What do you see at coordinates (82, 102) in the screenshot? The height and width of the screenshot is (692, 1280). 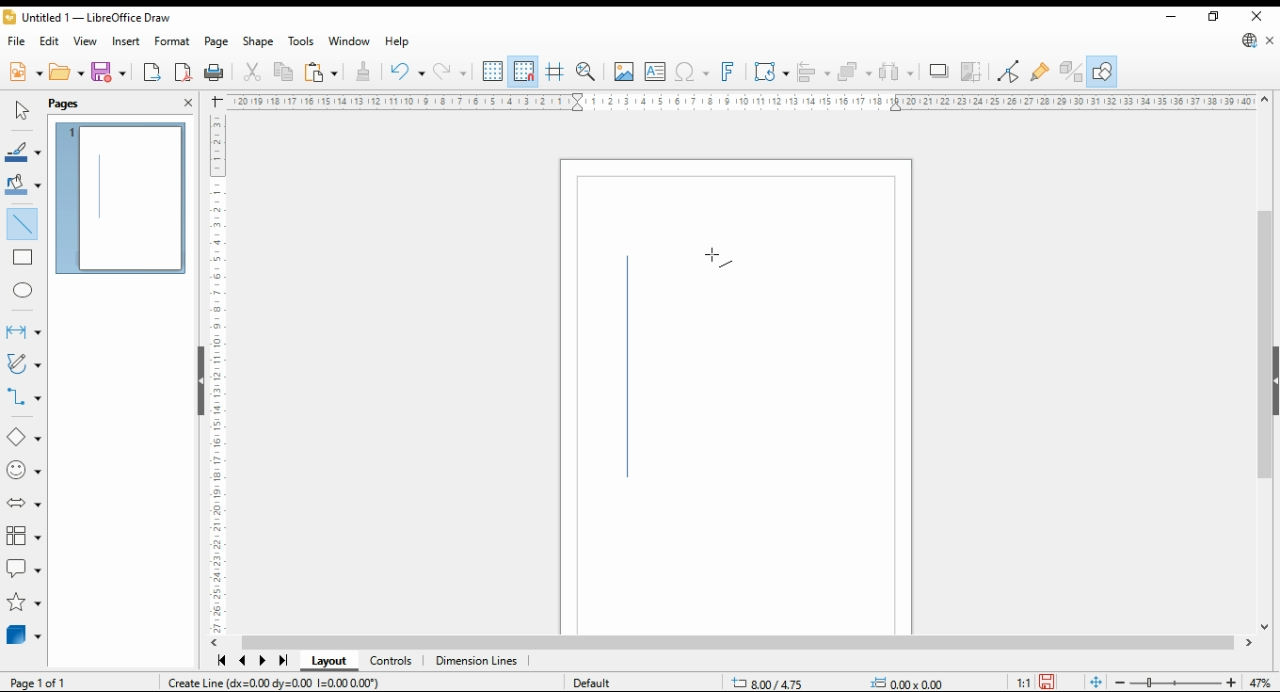 I see `pages` at bounding box center [82, 102].